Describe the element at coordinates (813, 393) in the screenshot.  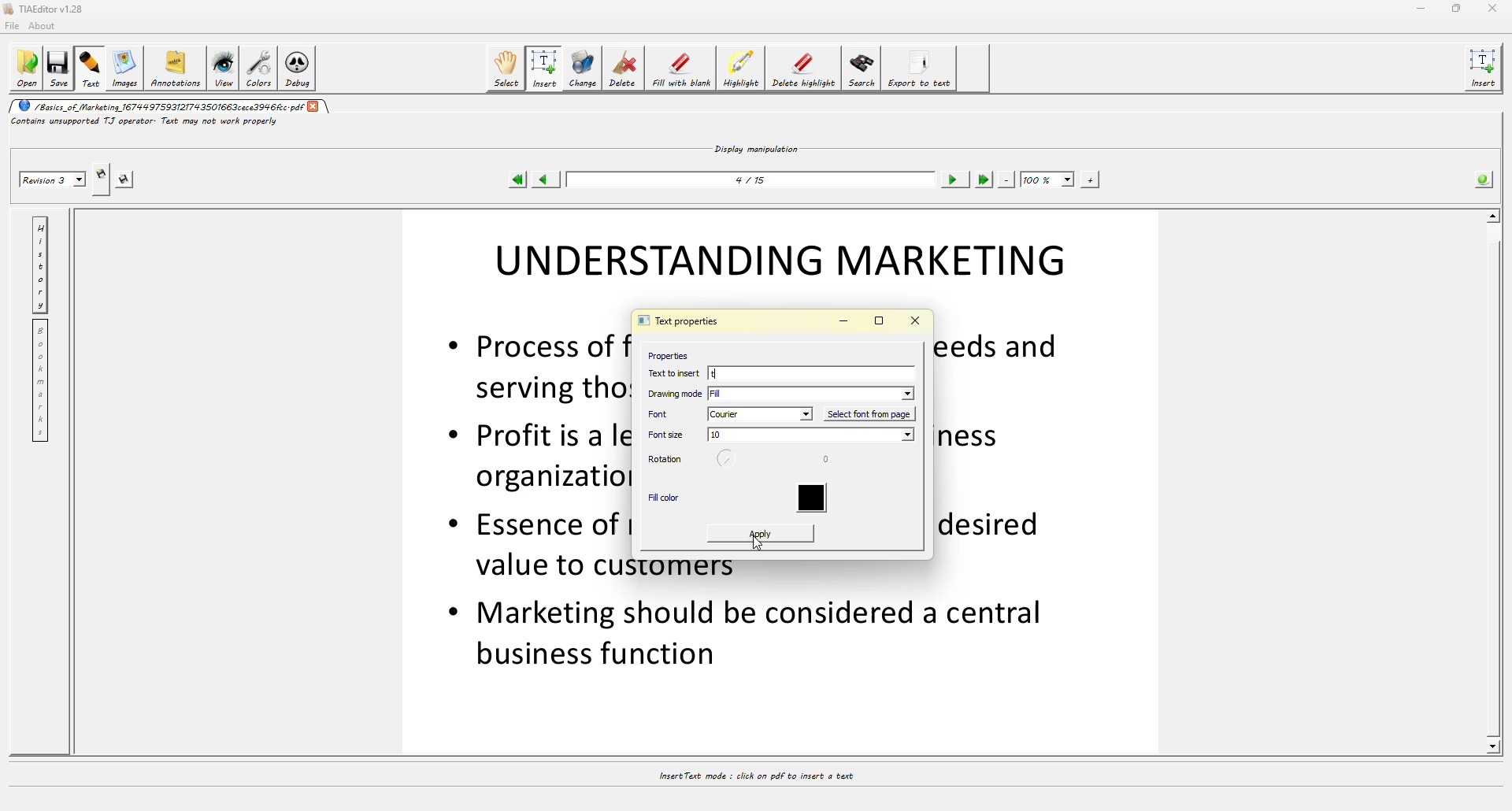
I see `fill` at that location.